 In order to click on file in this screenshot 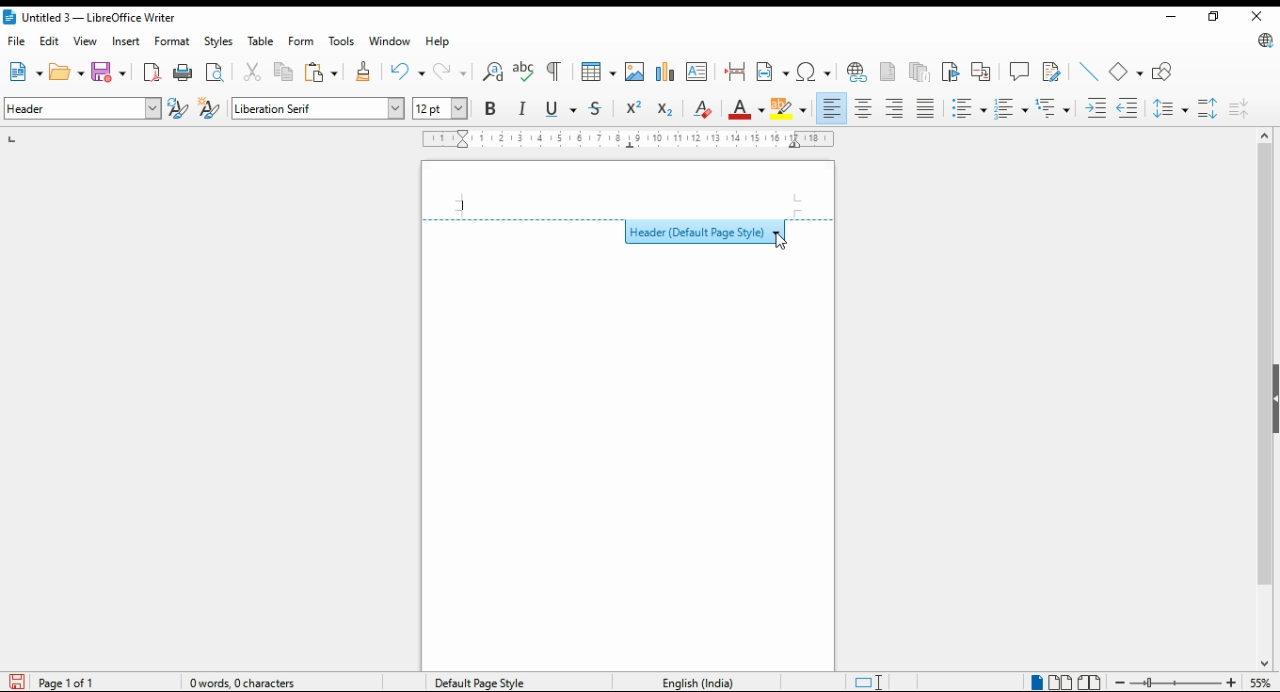, I will do `click(17, 41)`.